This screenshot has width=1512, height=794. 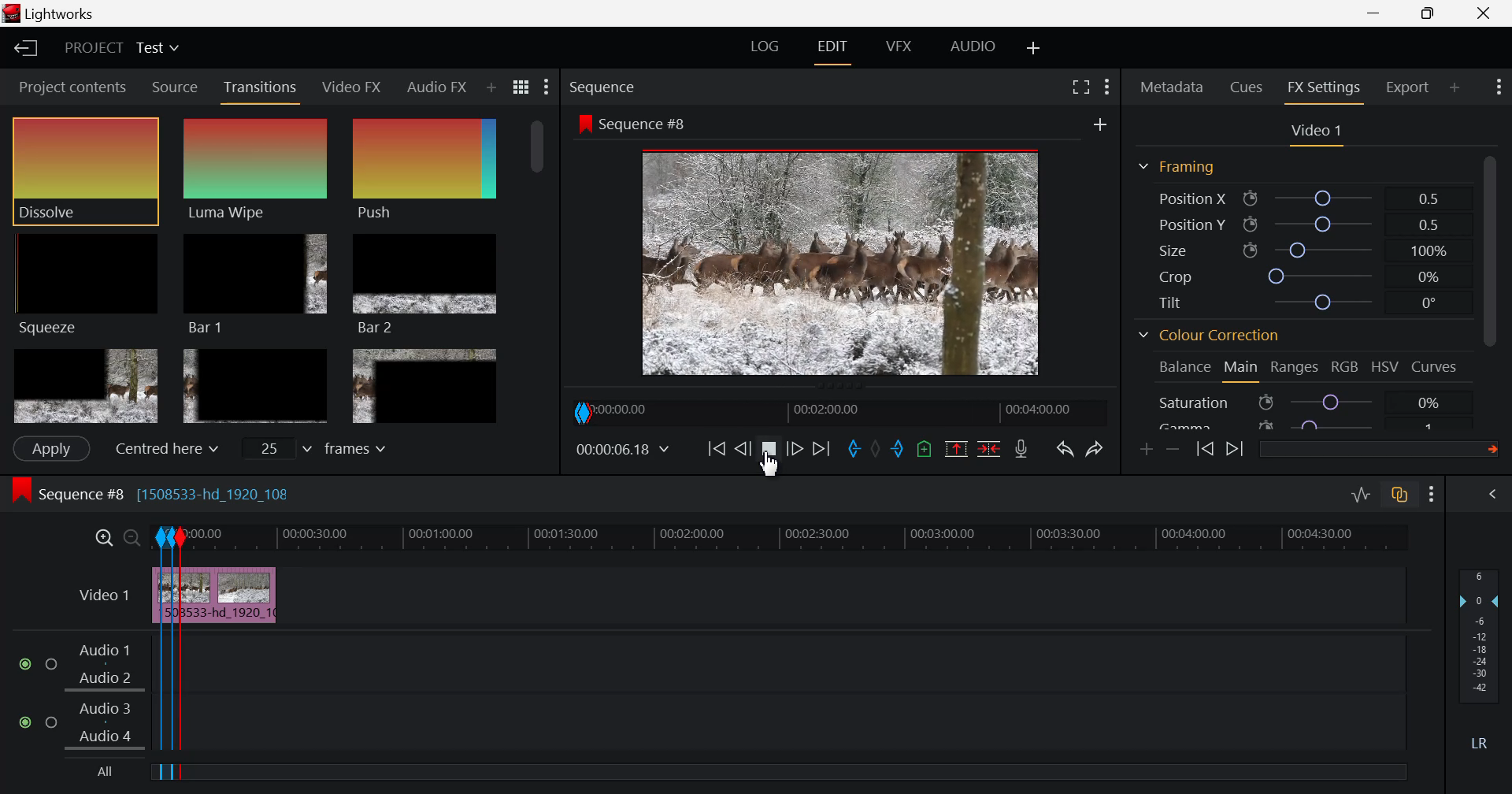 I want to click on Add keyframe, so click(x=1148, y=449).